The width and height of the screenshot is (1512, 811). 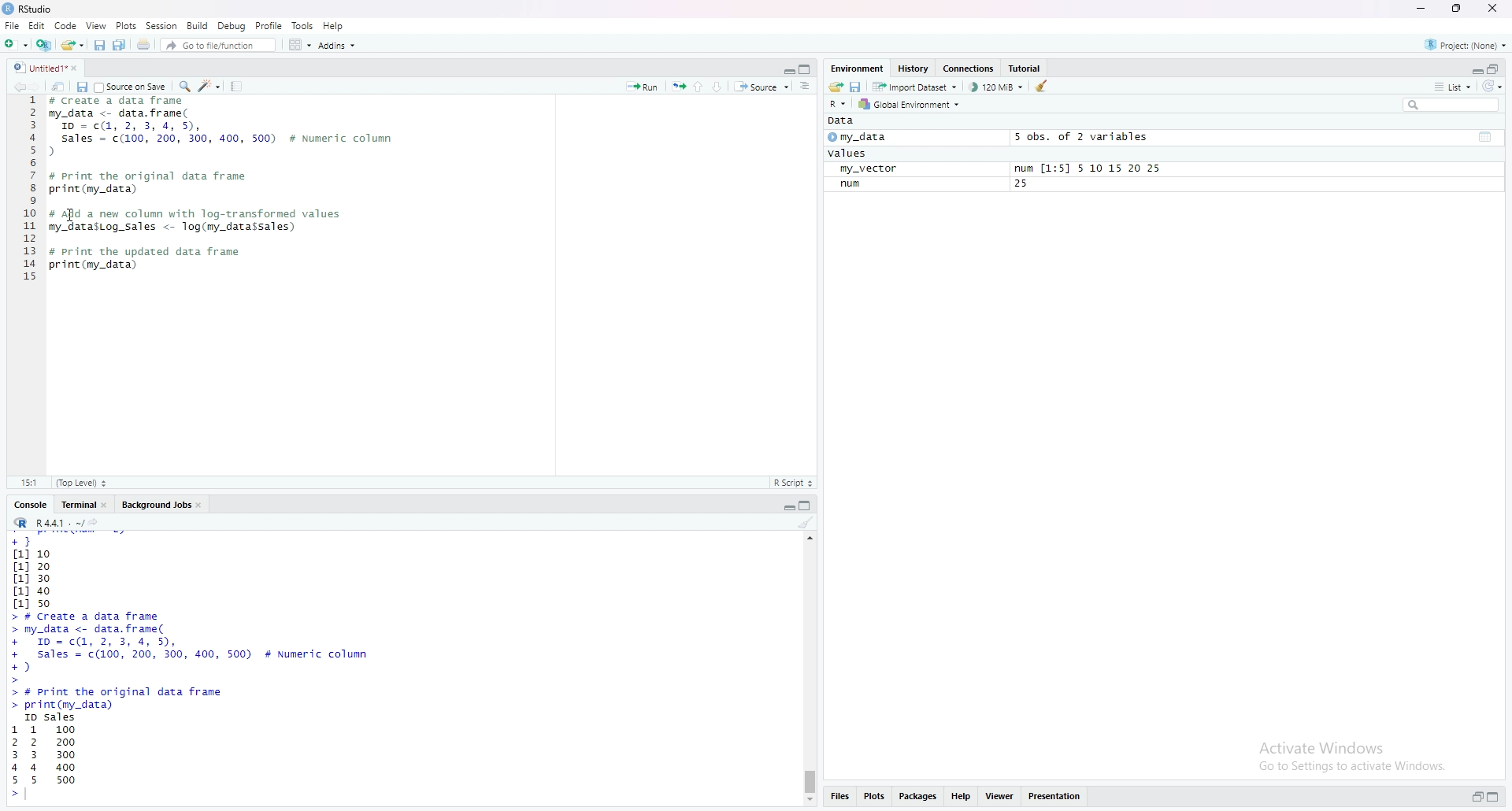 I want to click on Go back to the previous source location, so click(x=13, y=87).